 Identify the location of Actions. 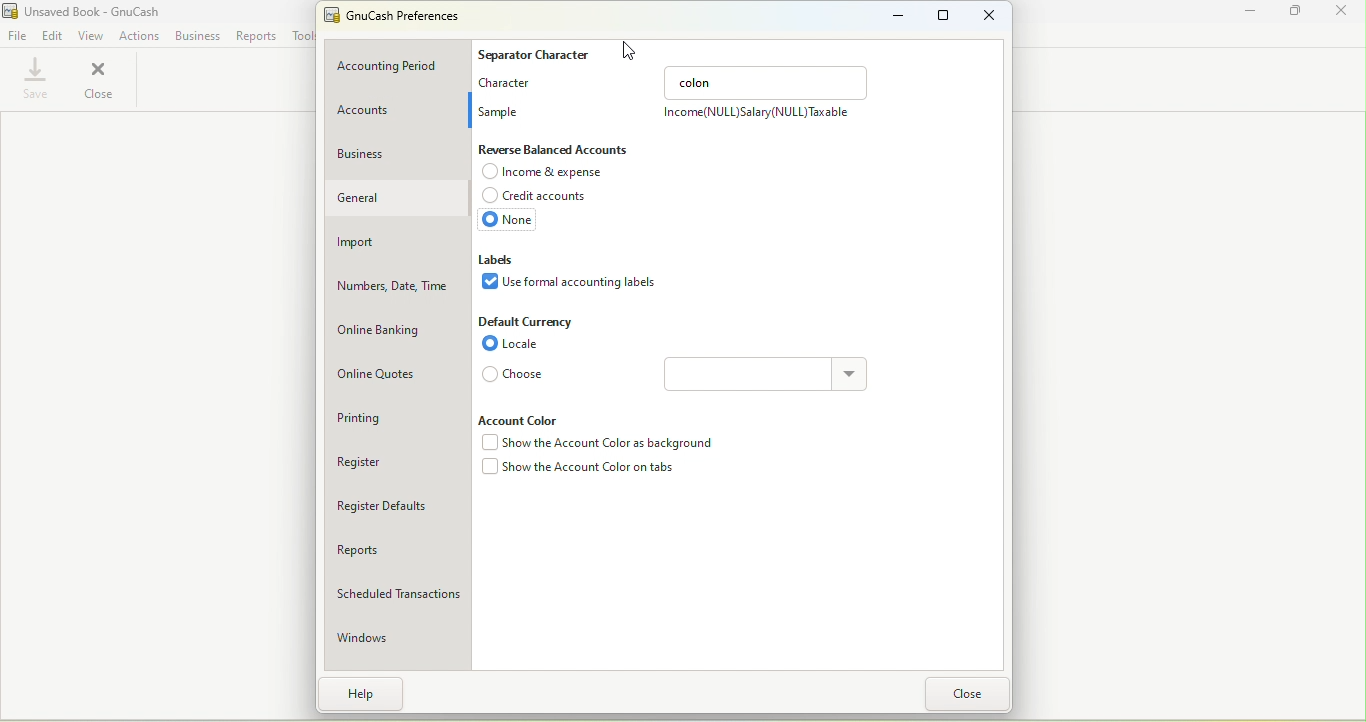
(139, 35).